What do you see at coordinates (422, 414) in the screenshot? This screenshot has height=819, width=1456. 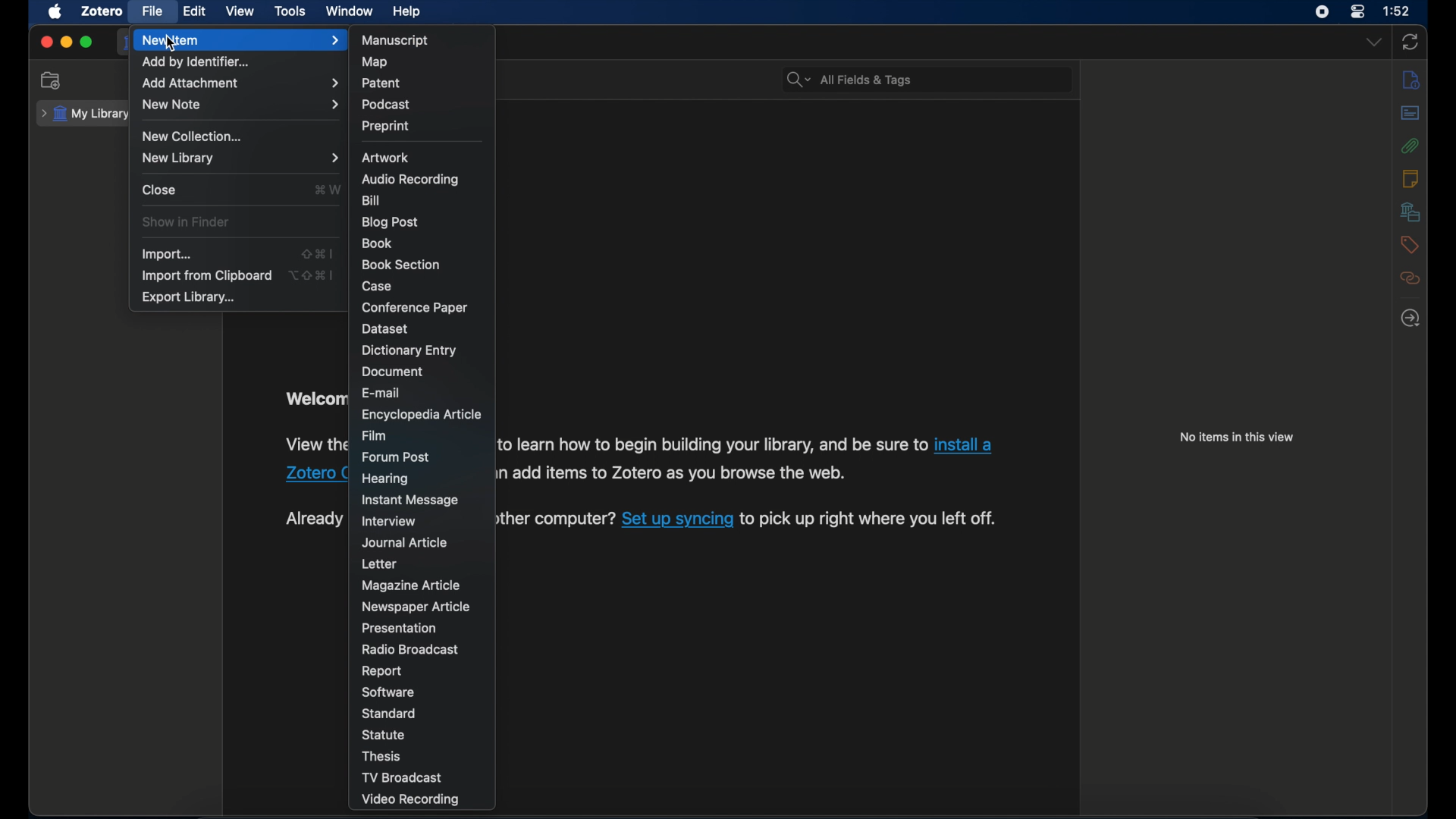 I see `encyclopedia article` at bounding box center [422, 414].